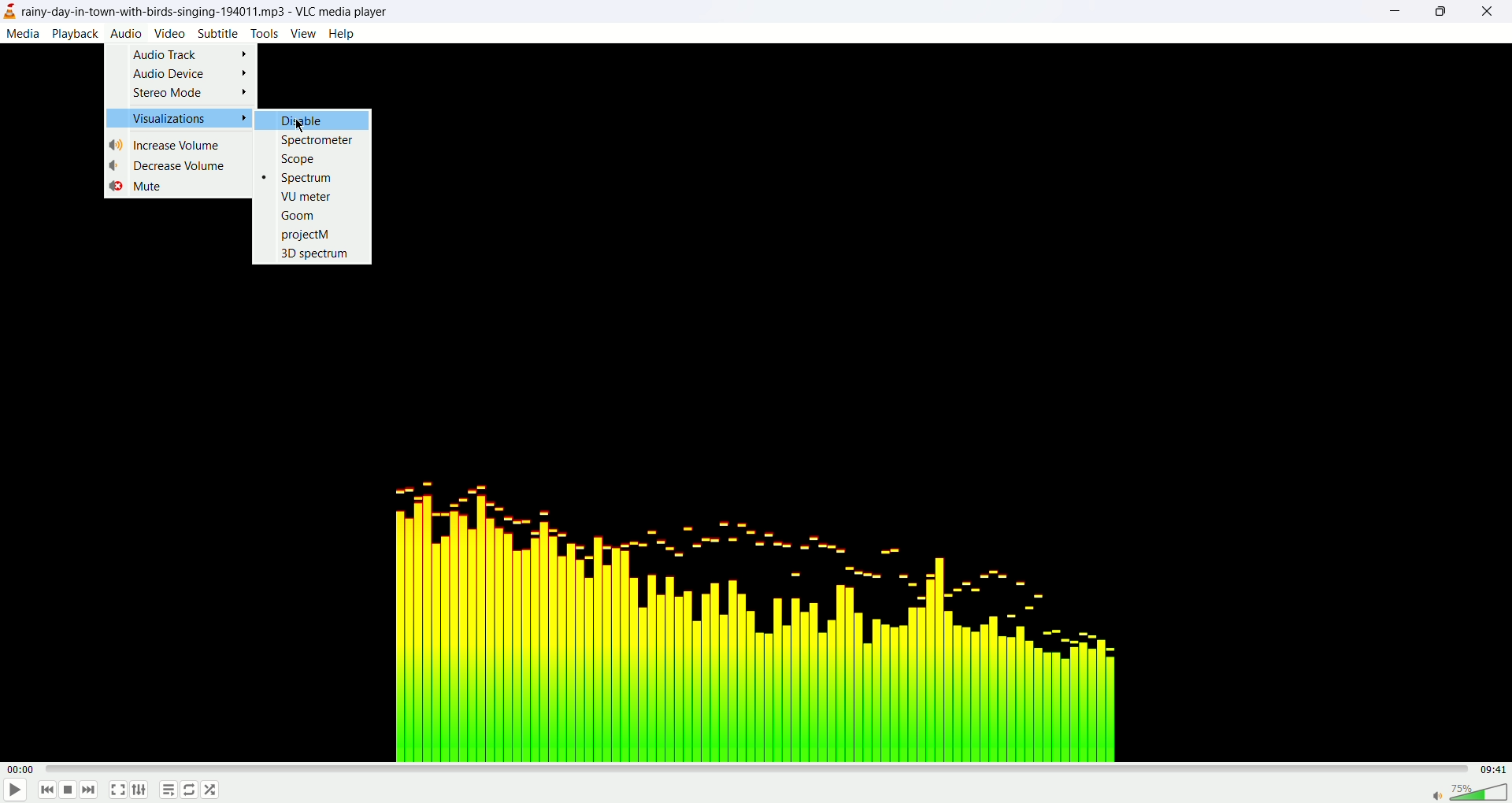 The width and height of the screenshot is (1512, 803). What do you see at coordinates (748, 615) in the screenshot?
I see `audio tunes` at bounding box center [748, 615].